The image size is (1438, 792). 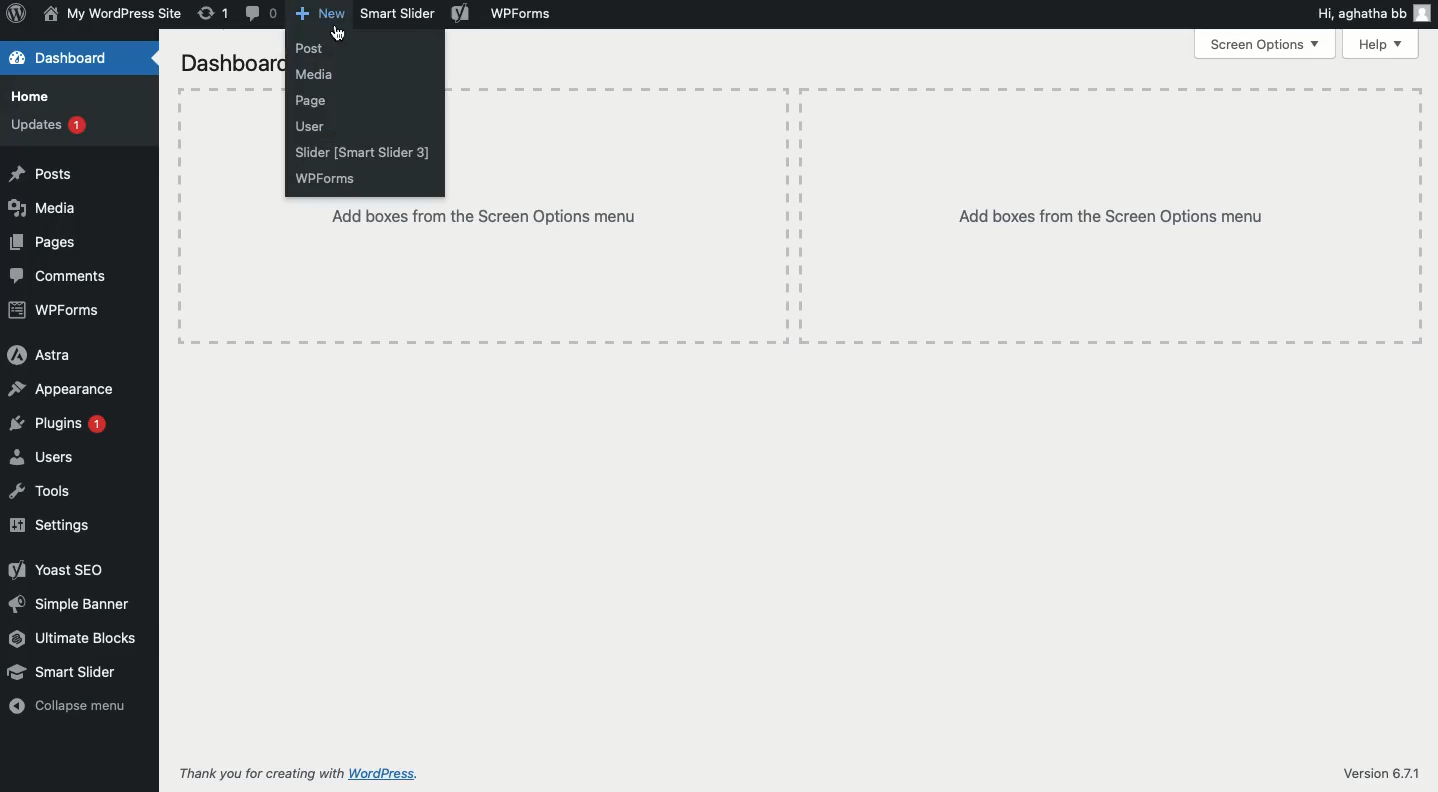 I want to click on Page, so click(x=311, y=101).